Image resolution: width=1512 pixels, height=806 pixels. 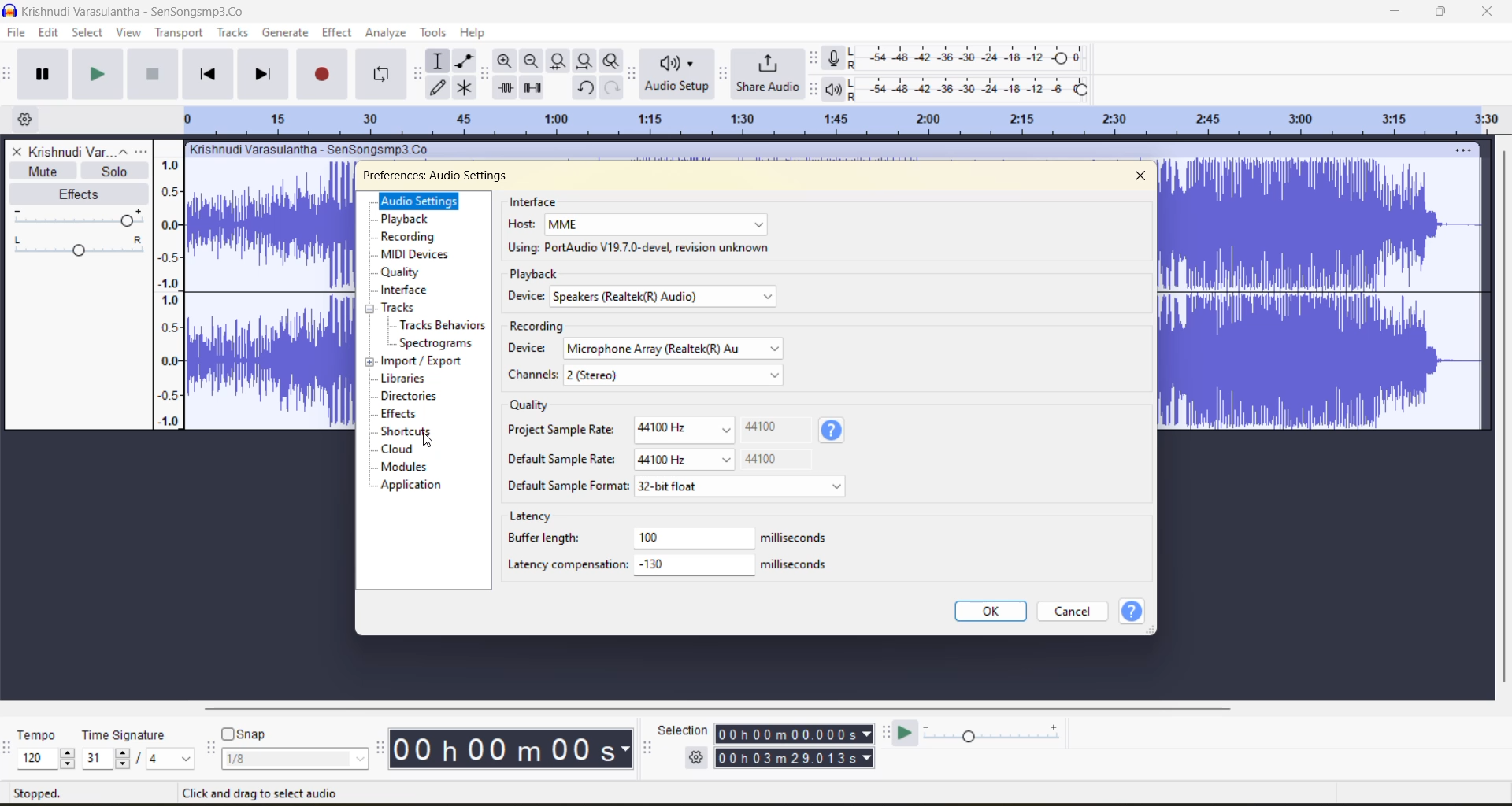 I want to click on file name, so click(x=91, y=153).